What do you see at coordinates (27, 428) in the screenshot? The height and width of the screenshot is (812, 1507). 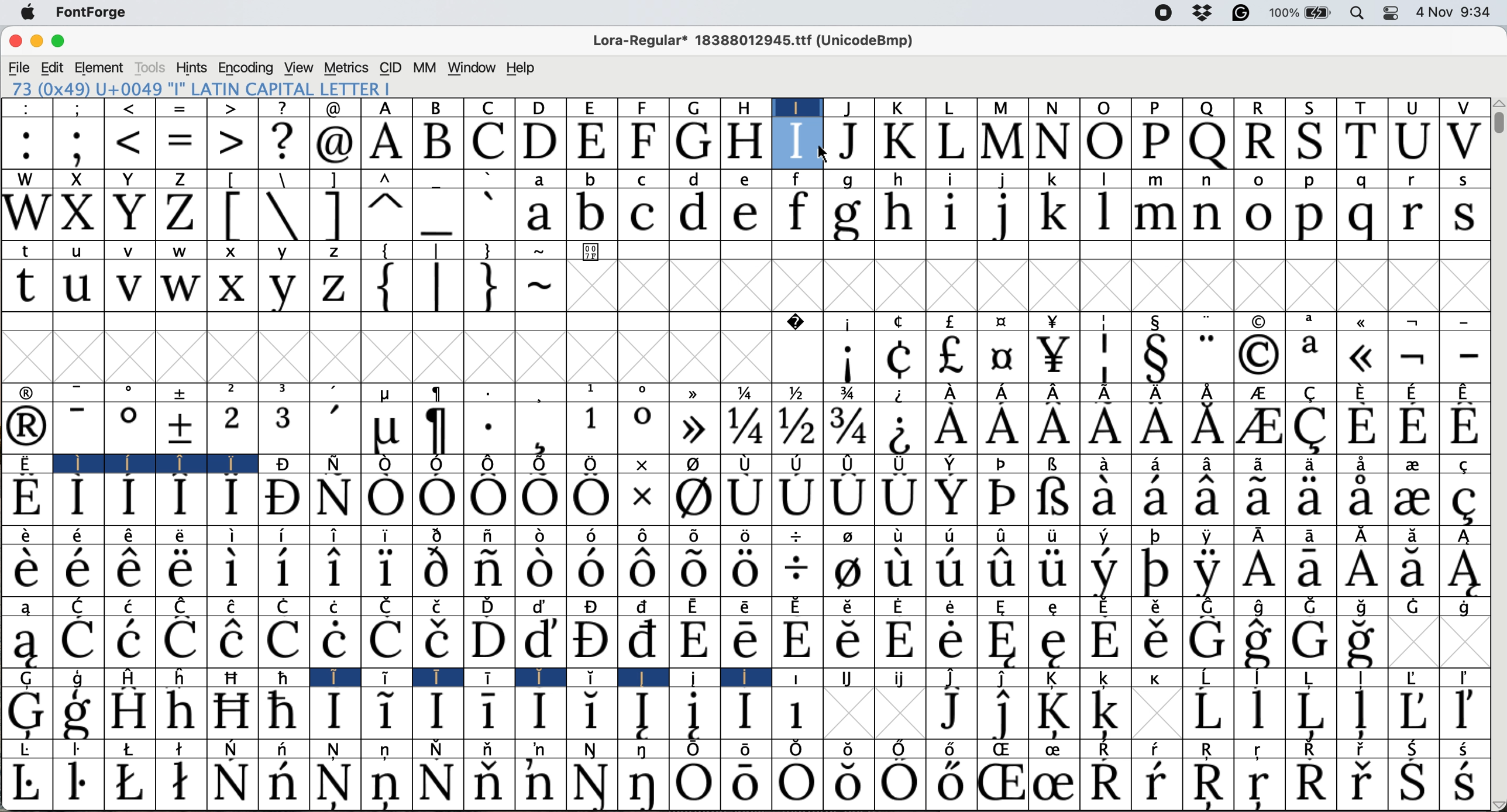 I see `Symbol` at bounding box center [27, 428].